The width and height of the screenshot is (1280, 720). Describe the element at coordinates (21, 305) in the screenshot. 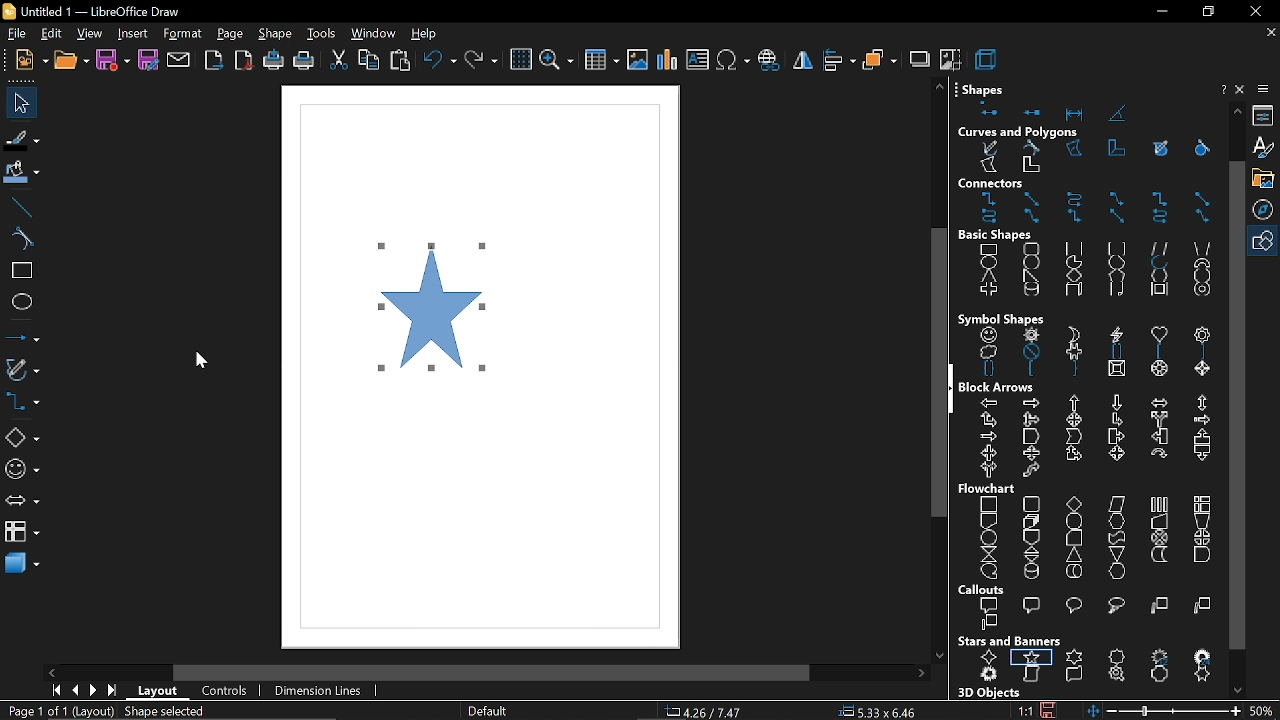

I see `ellipse` at that location.